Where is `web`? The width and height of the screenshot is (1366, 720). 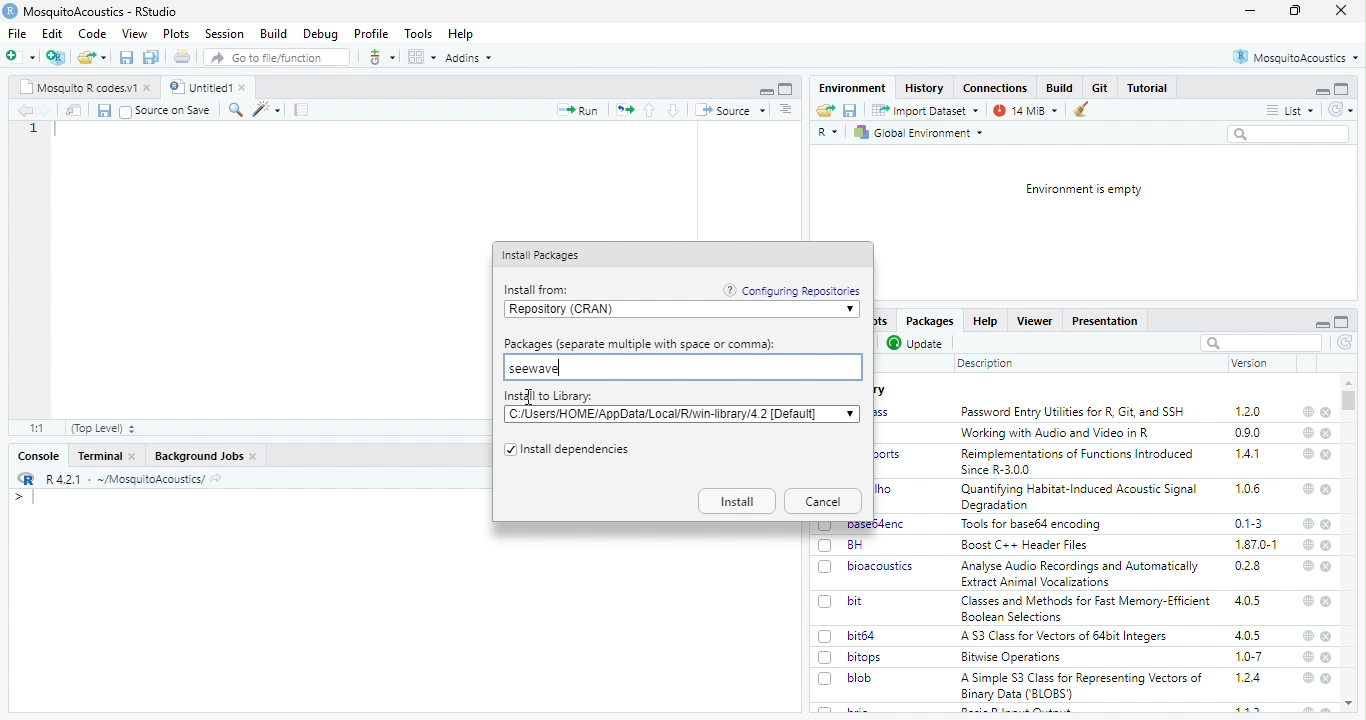 web is located at coordinates (1308, 453).